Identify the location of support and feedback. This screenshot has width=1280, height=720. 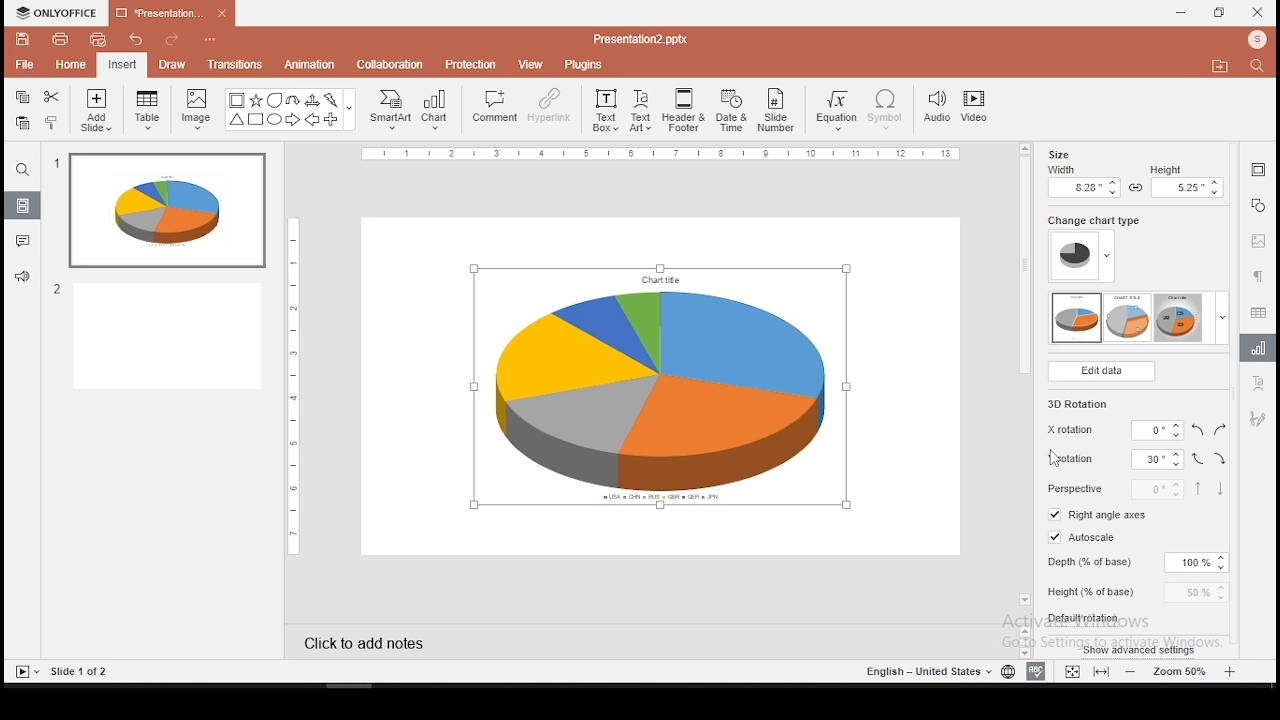
(22, 279).